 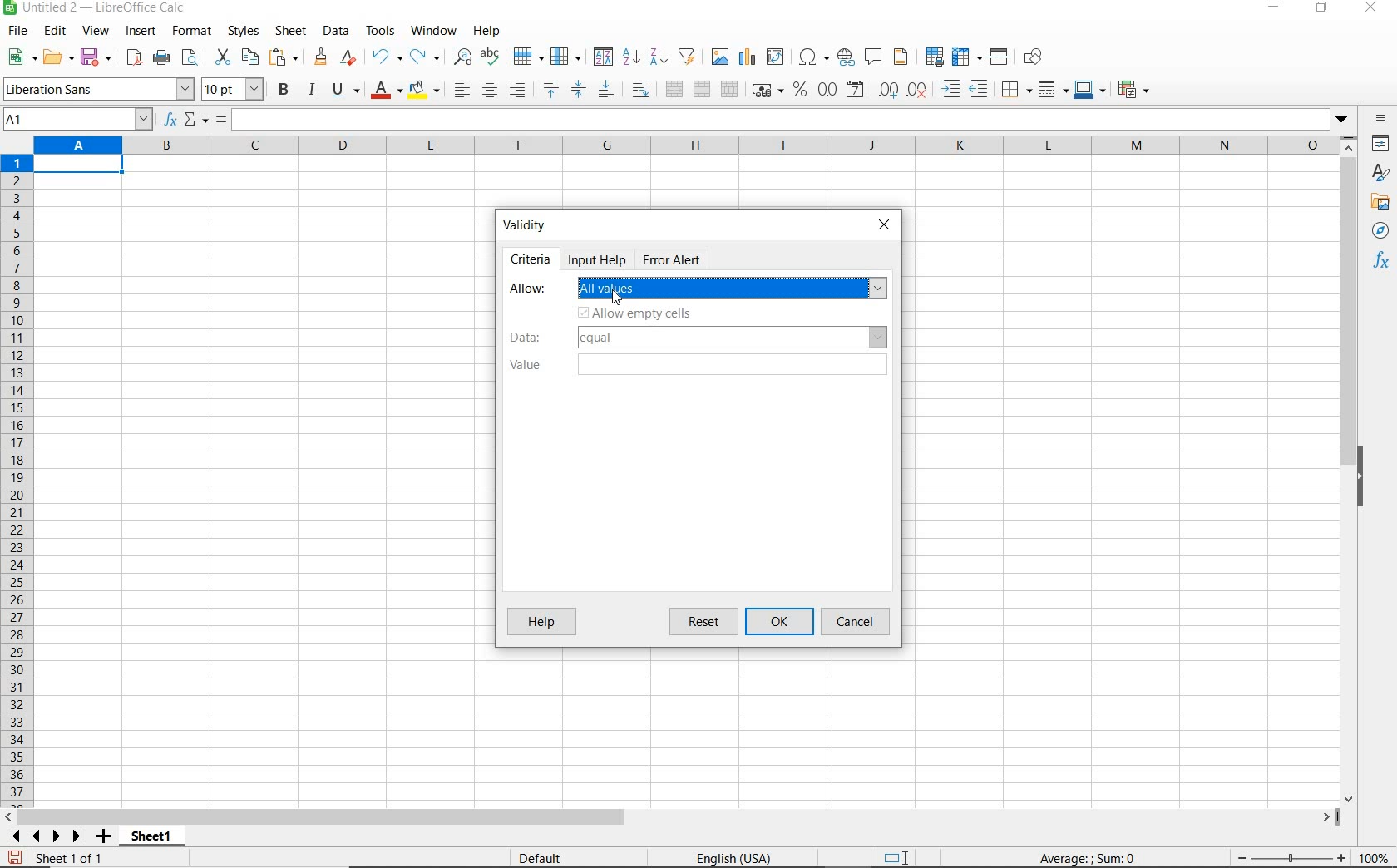 I want to click on add sheet, so click(x=101, y=838).